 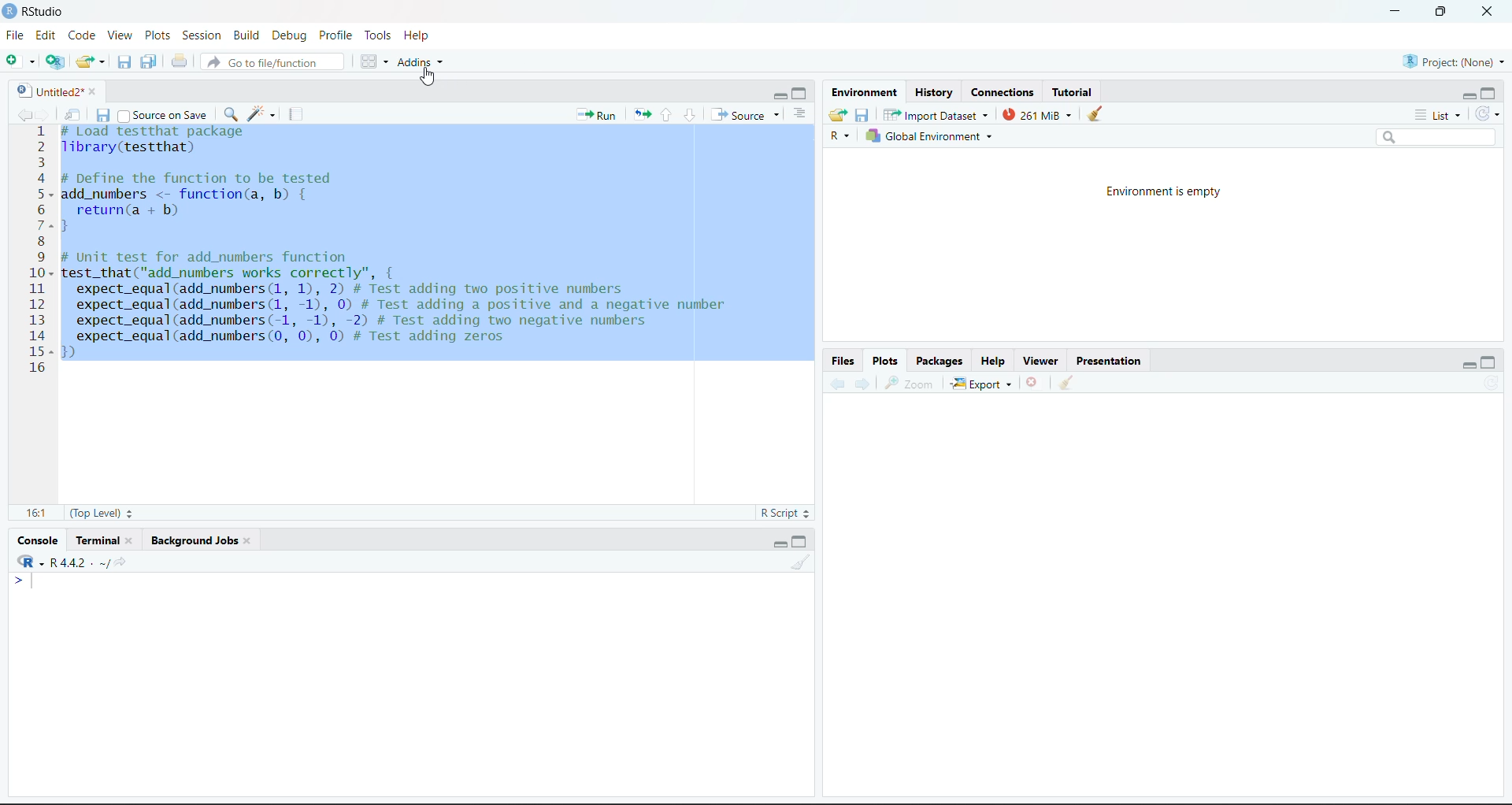 What do you see at coordinates (1468, 95) in the screenshot?
I see `minimize` at bounding box center [1468, 95].